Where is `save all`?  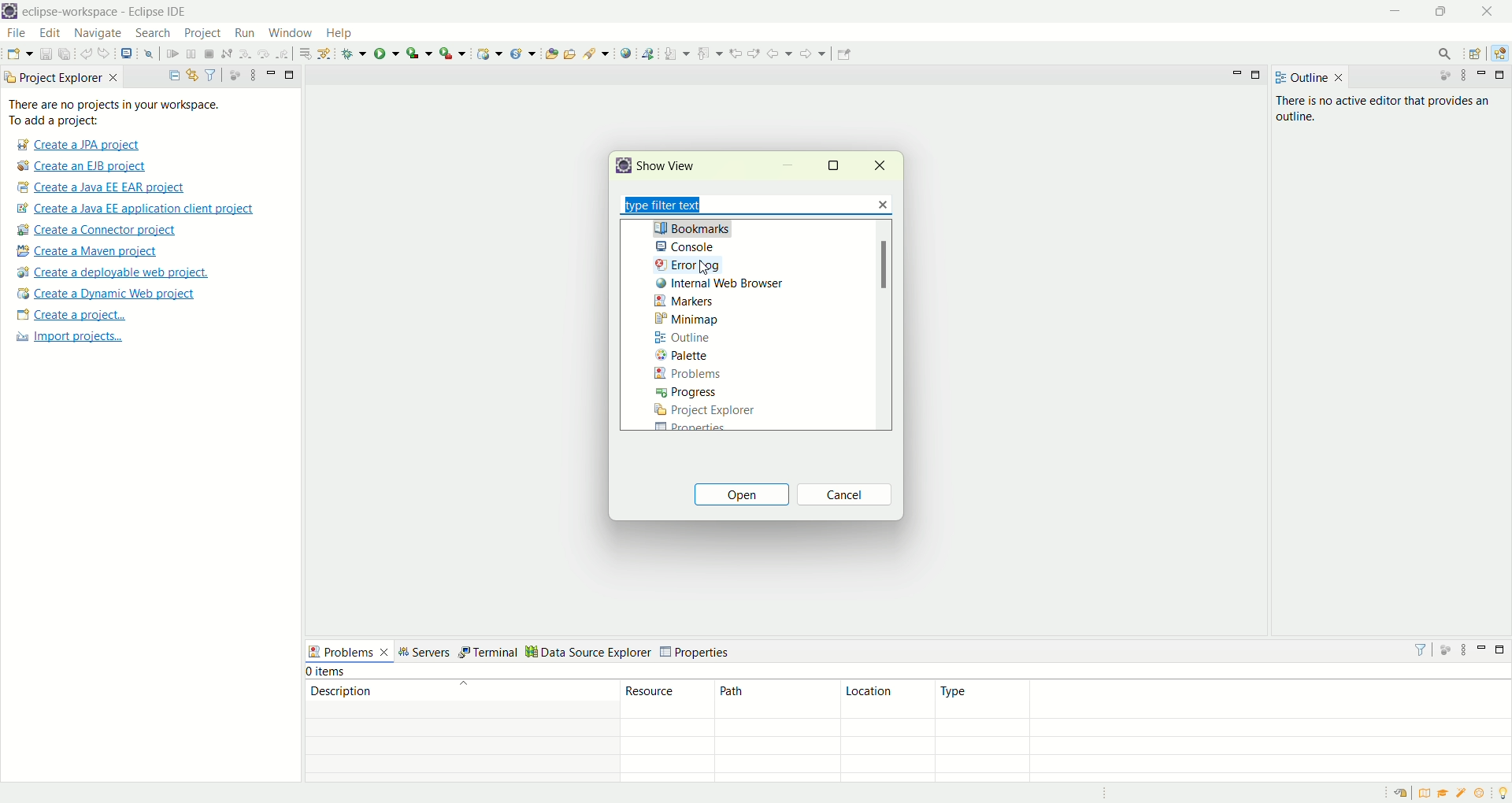
save all is located at coordinates (65, 54).